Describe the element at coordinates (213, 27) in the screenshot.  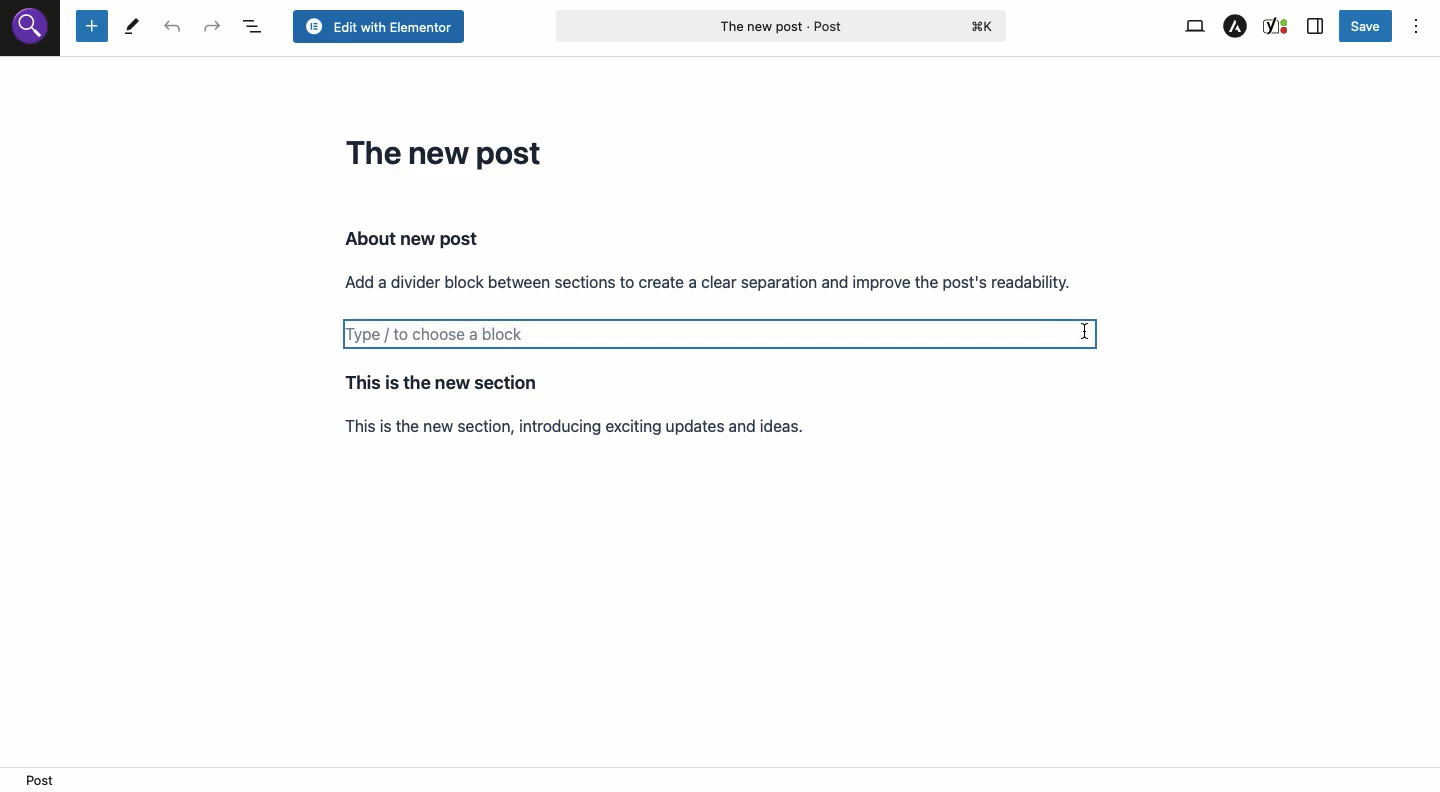
I see `Redo` at that location.